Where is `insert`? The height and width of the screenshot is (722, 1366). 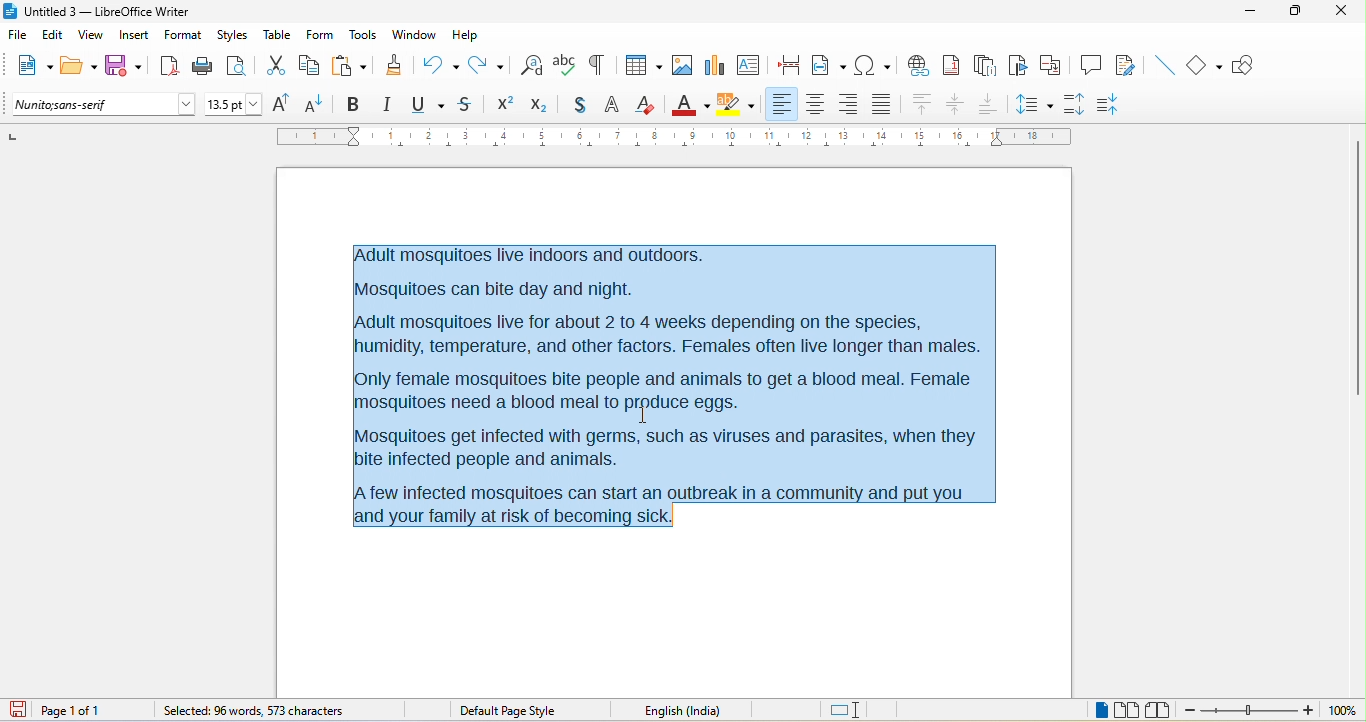
insert is located at coordinates (133, 35).